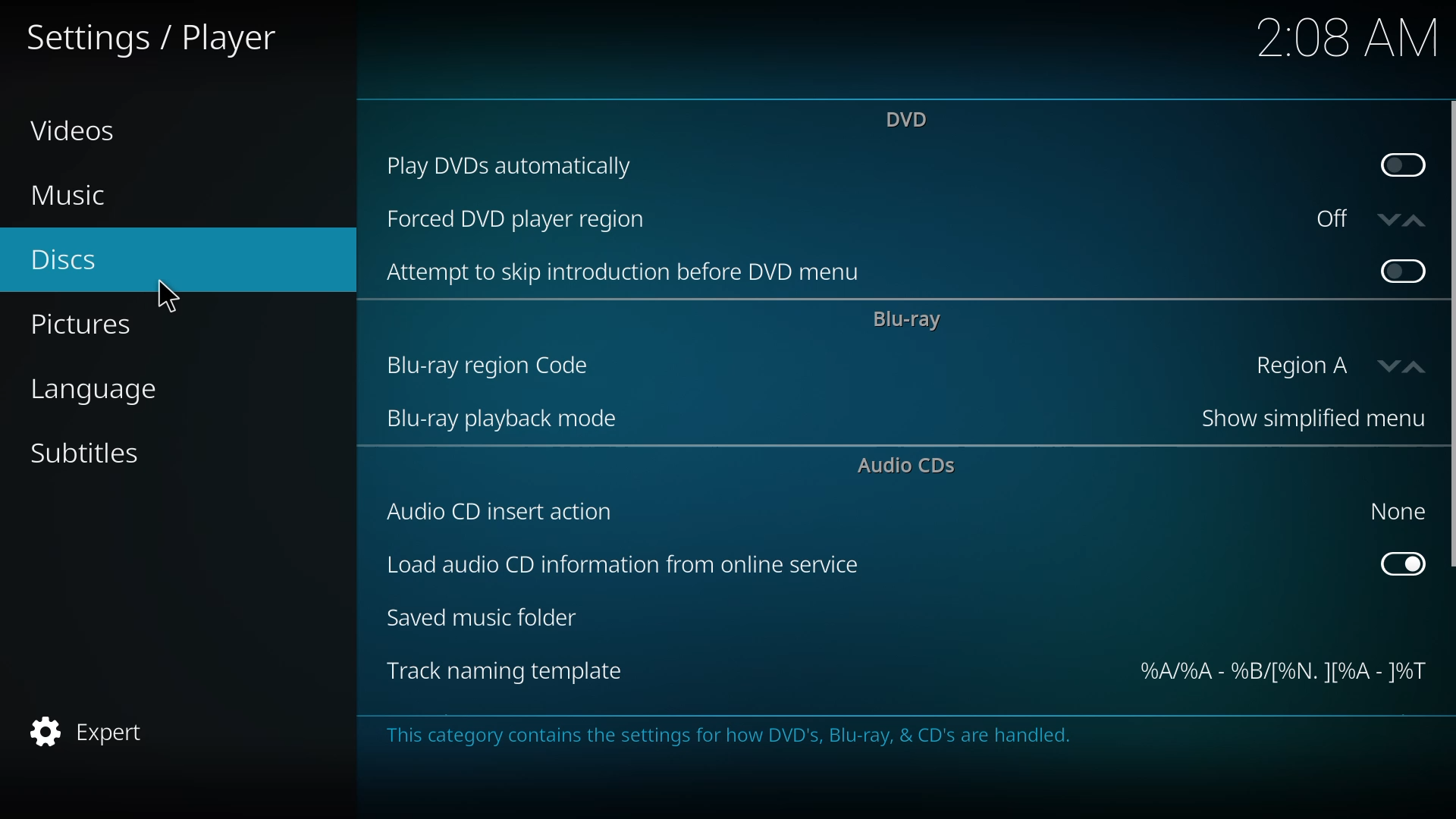  I want to click on info, so click(730, 736).